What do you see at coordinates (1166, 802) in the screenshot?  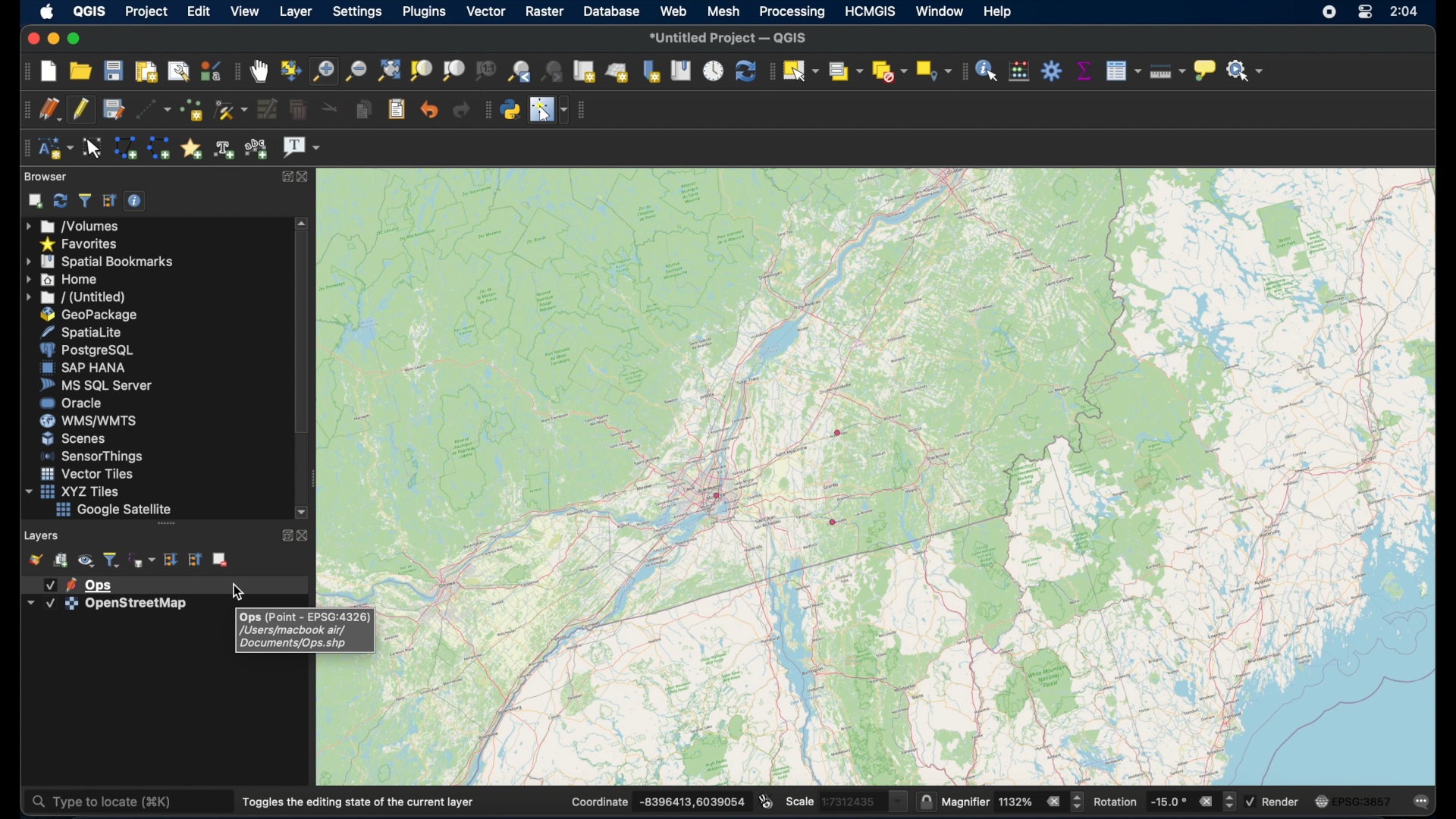 I see `rotation` at bounding box center [1166, 802].